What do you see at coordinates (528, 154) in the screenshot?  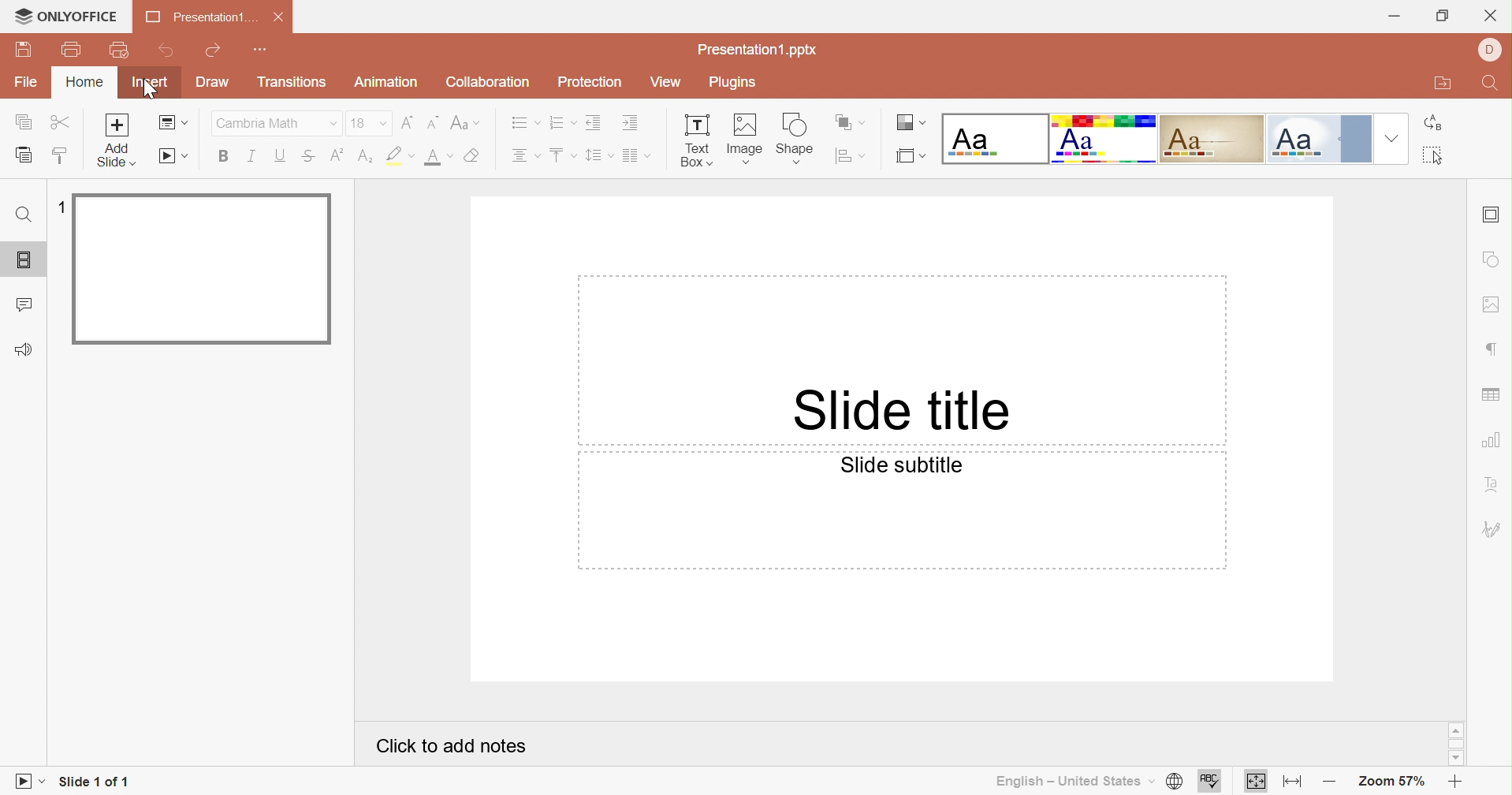 I see `Align Center` at bounding box center [528, 154].